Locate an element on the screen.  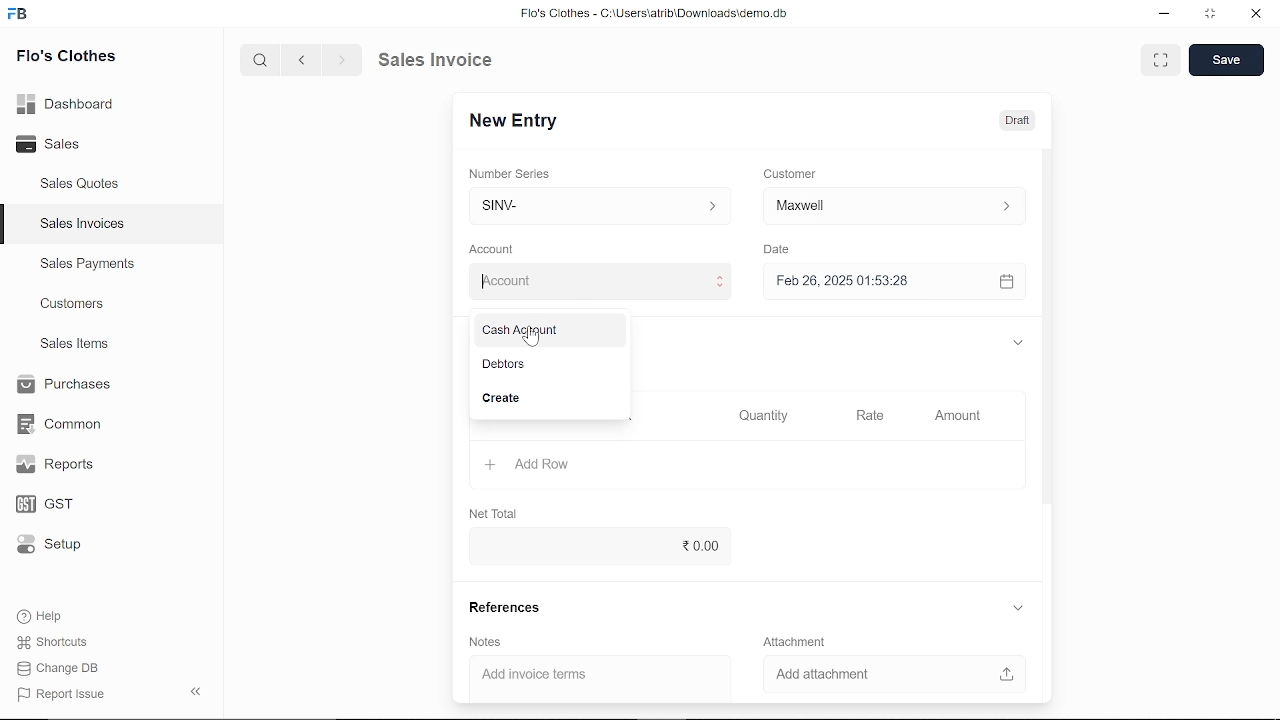
search is located at coordinates (262, 59).